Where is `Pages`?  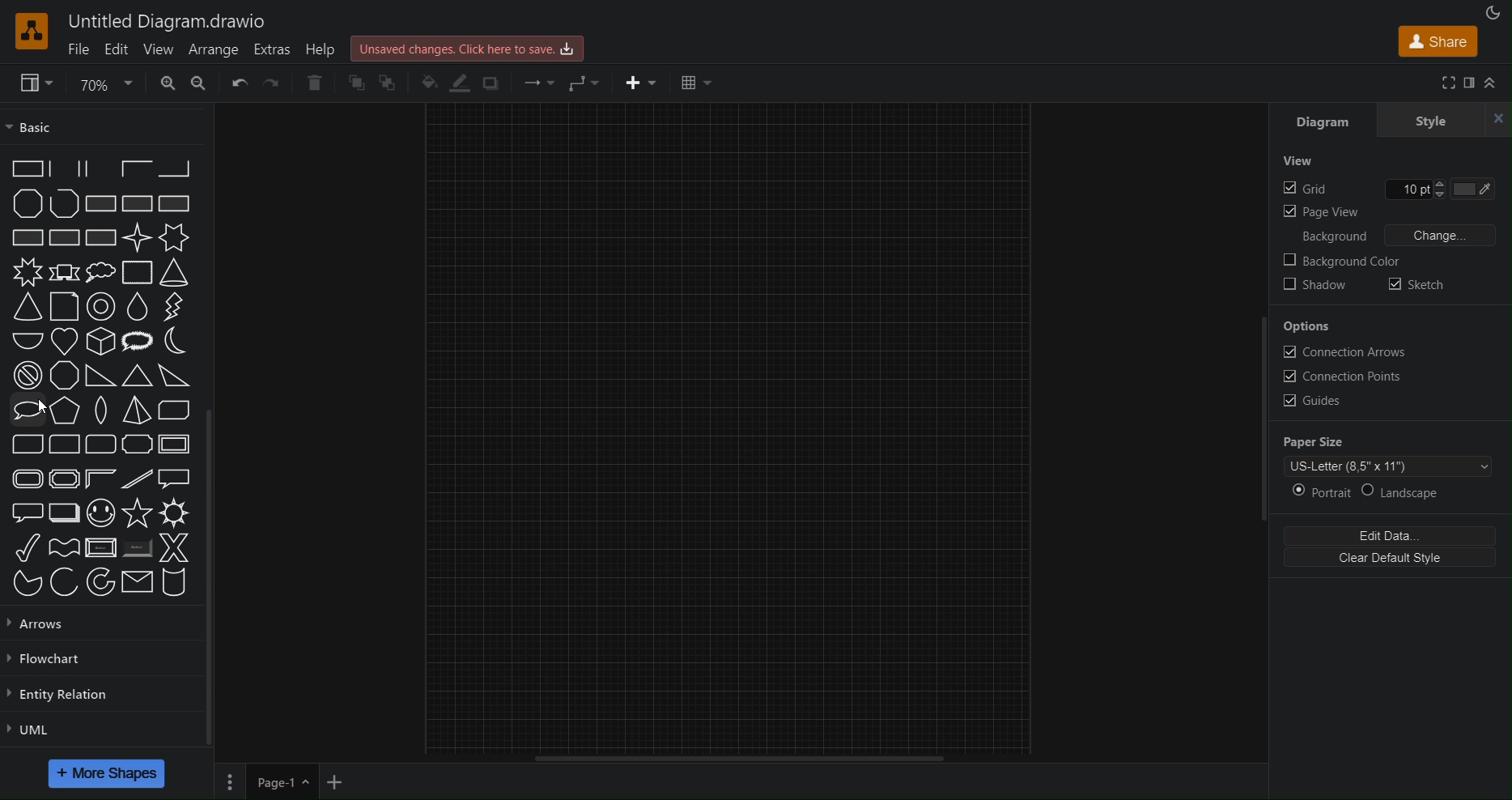
Pages is located at coordinates (234, 781).